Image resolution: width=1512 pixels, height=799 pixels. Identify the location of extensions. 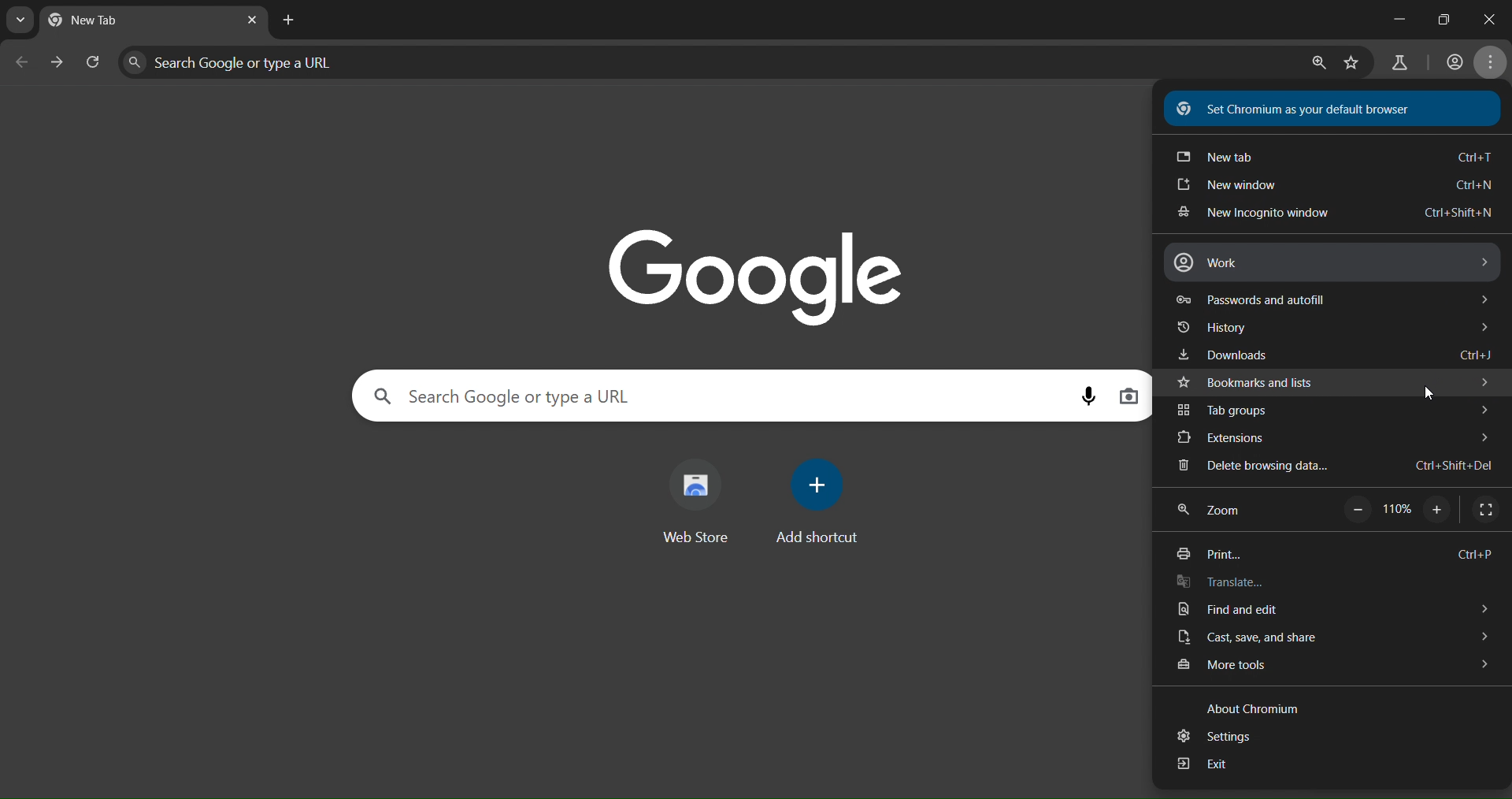
(1332, 437).